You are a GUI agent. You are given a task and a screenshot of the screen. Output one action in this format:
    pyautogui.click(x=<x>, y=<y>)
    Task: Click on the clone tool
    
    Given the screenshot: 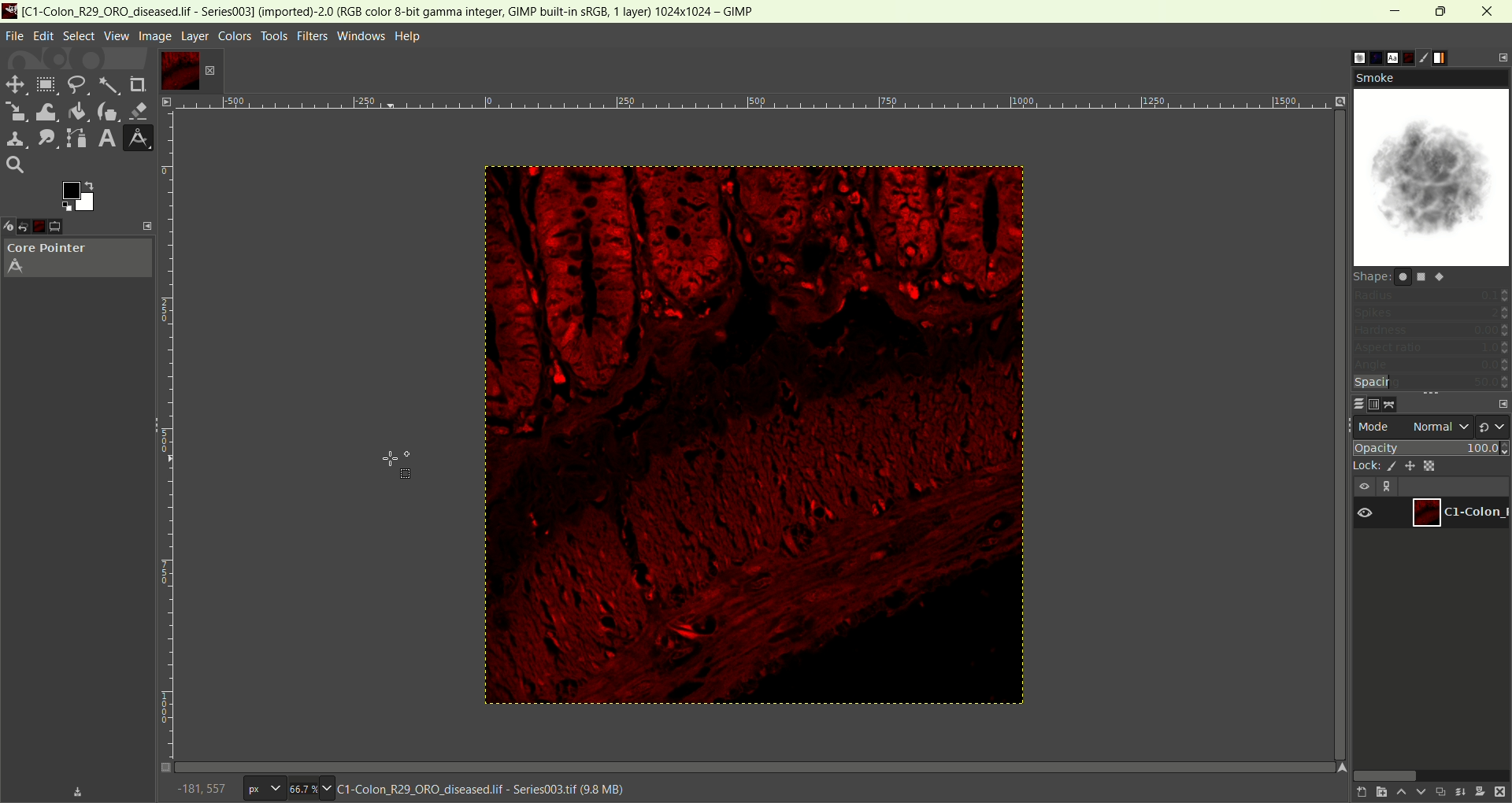 What is the action you would take?
    pyautogui.click(x=13, y=139)
    